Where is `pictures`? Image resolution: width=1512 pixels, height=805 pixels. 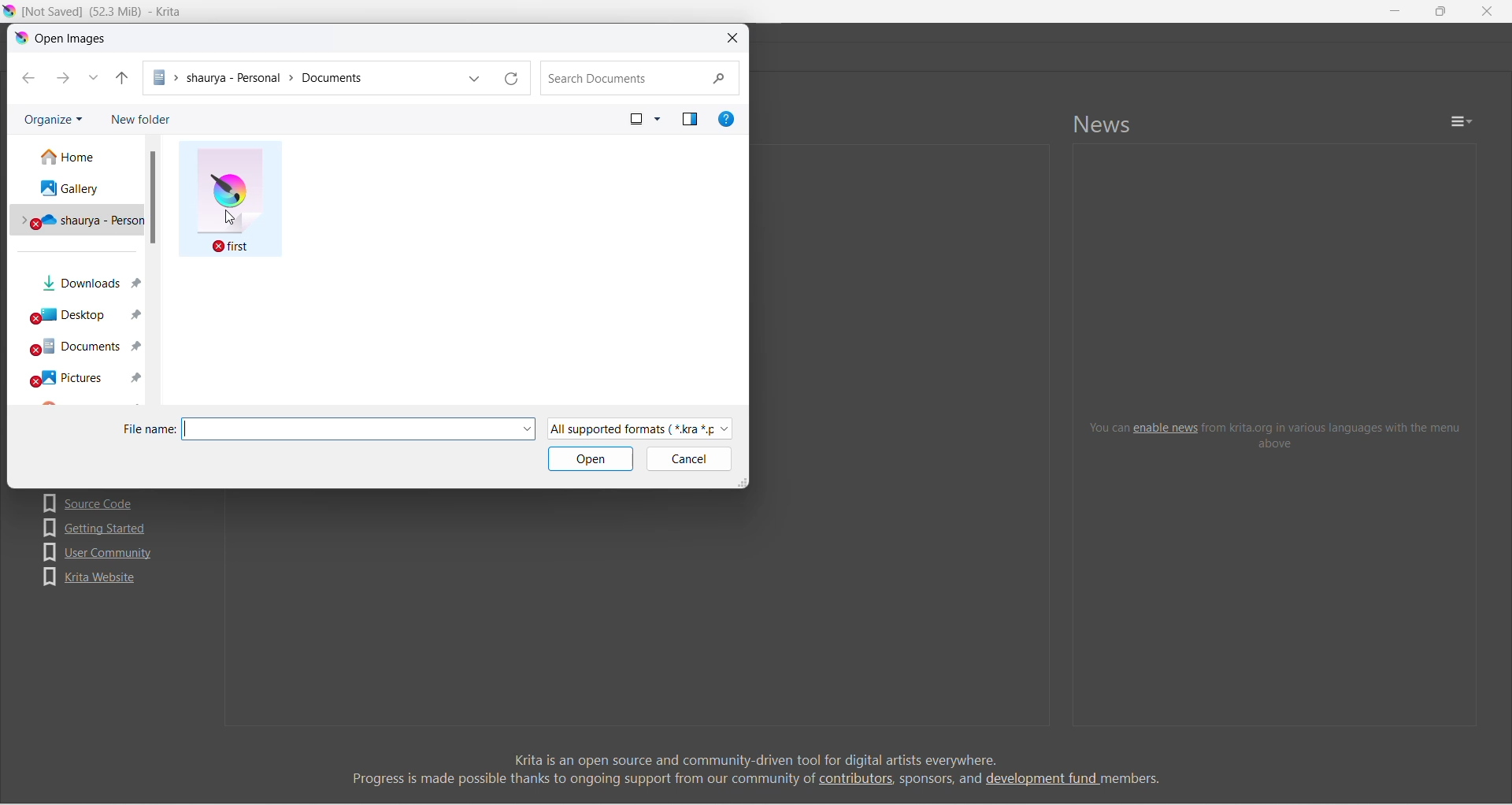 pictures is located at coordinates (80, 377).